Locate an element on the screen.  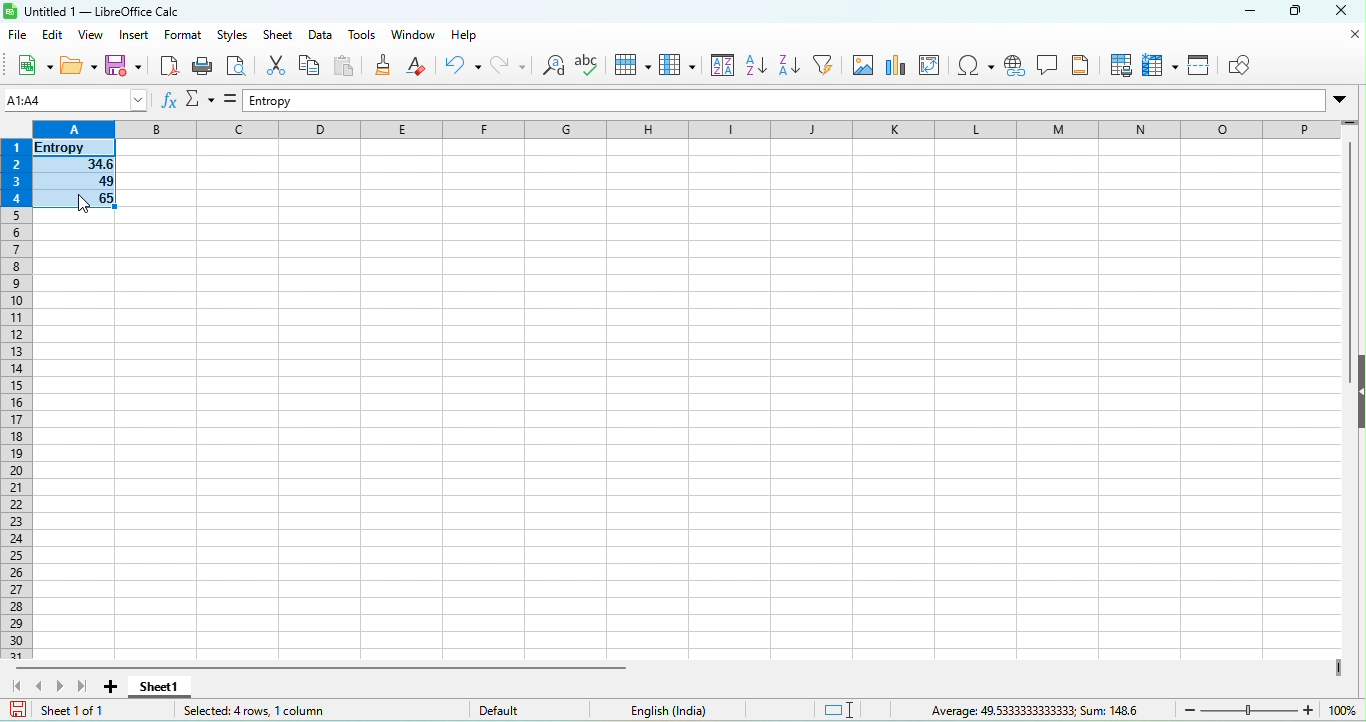
add new sheet is located at coordinates (111, 687).